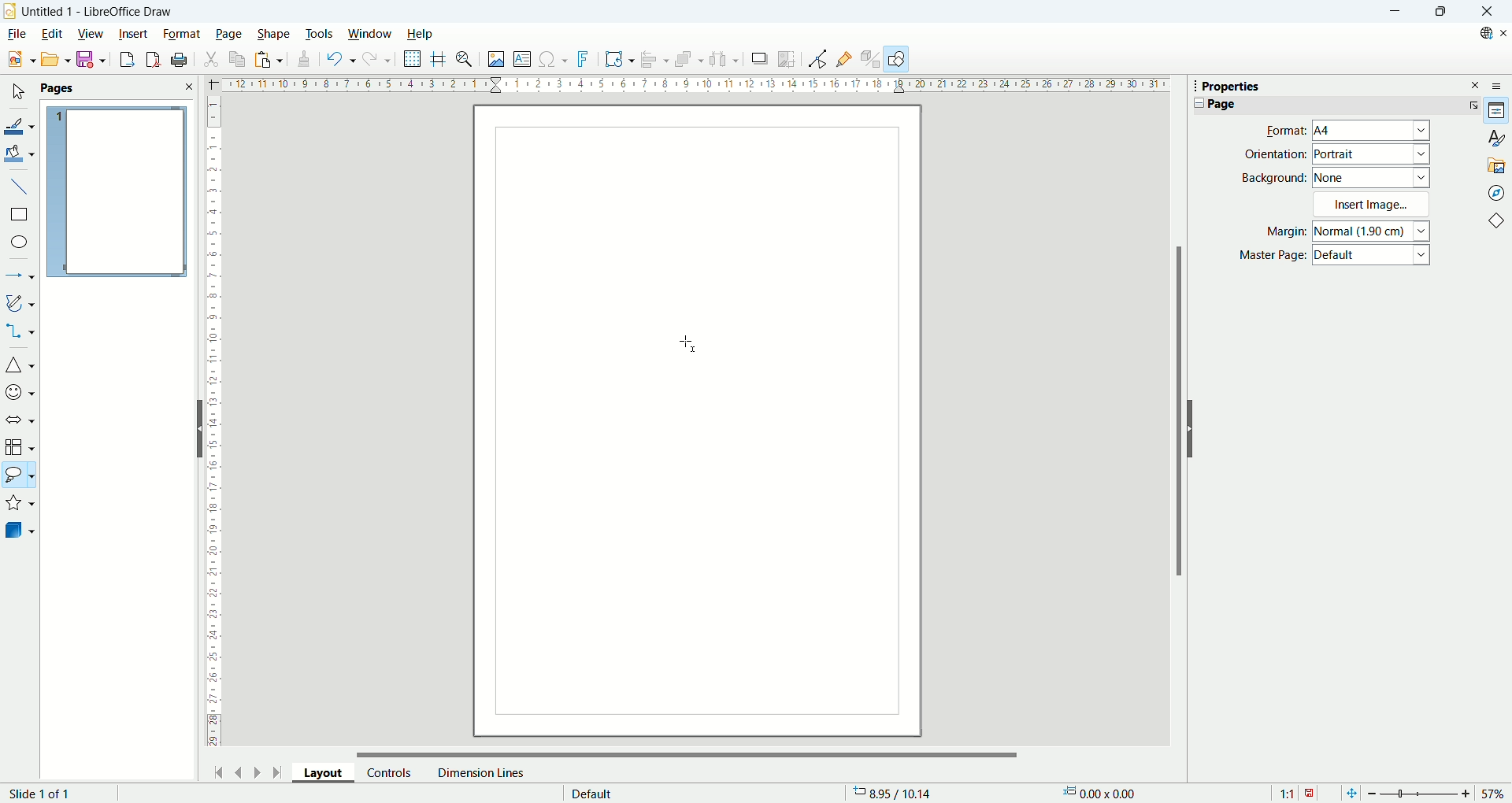 The width and height of the screenshot is (1512, 803). I want to click on rectangle, so click(18, 215).